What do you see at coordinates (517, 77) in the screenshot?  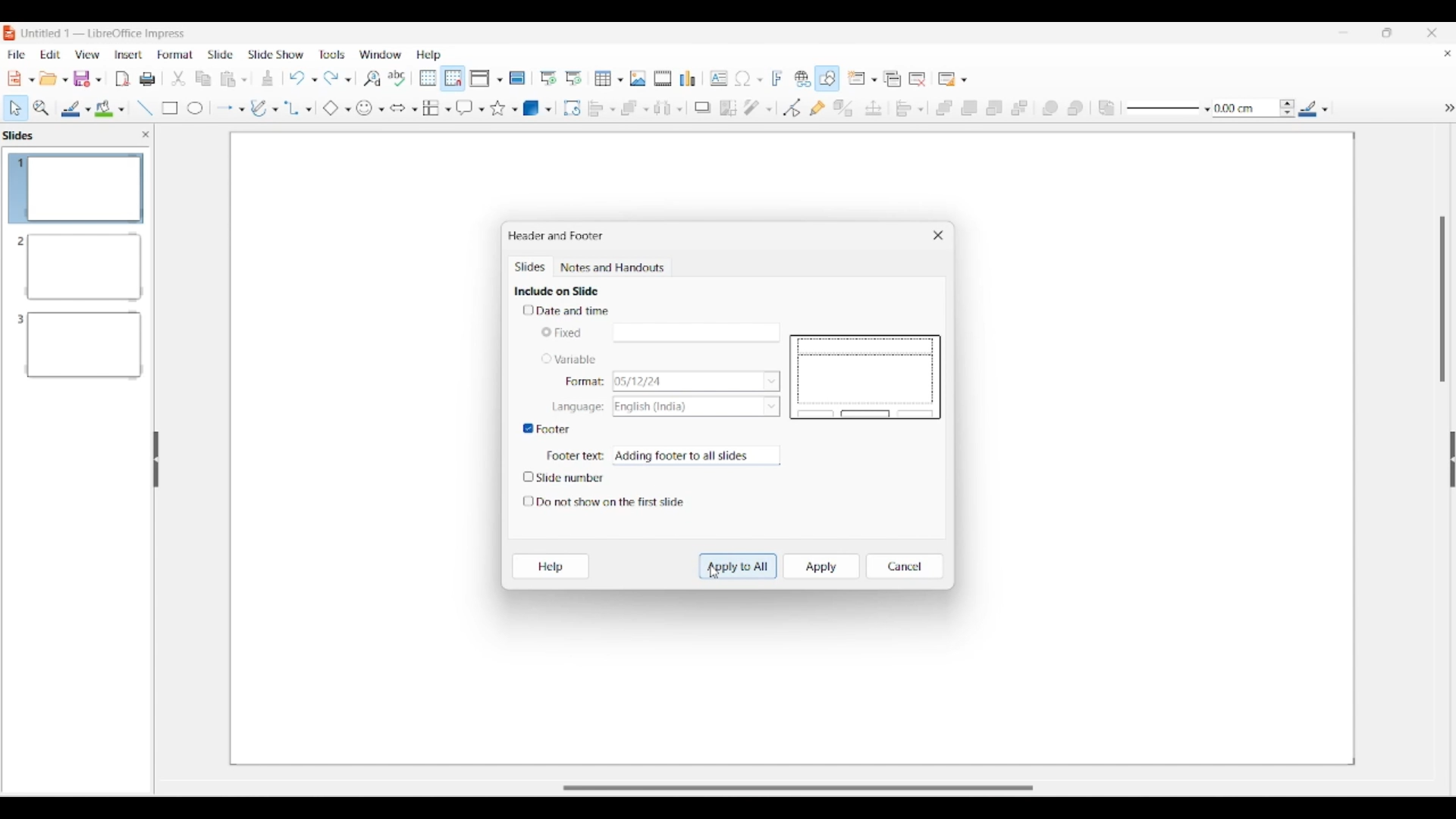 I see `Master slide` at bounding box center [517, 77].